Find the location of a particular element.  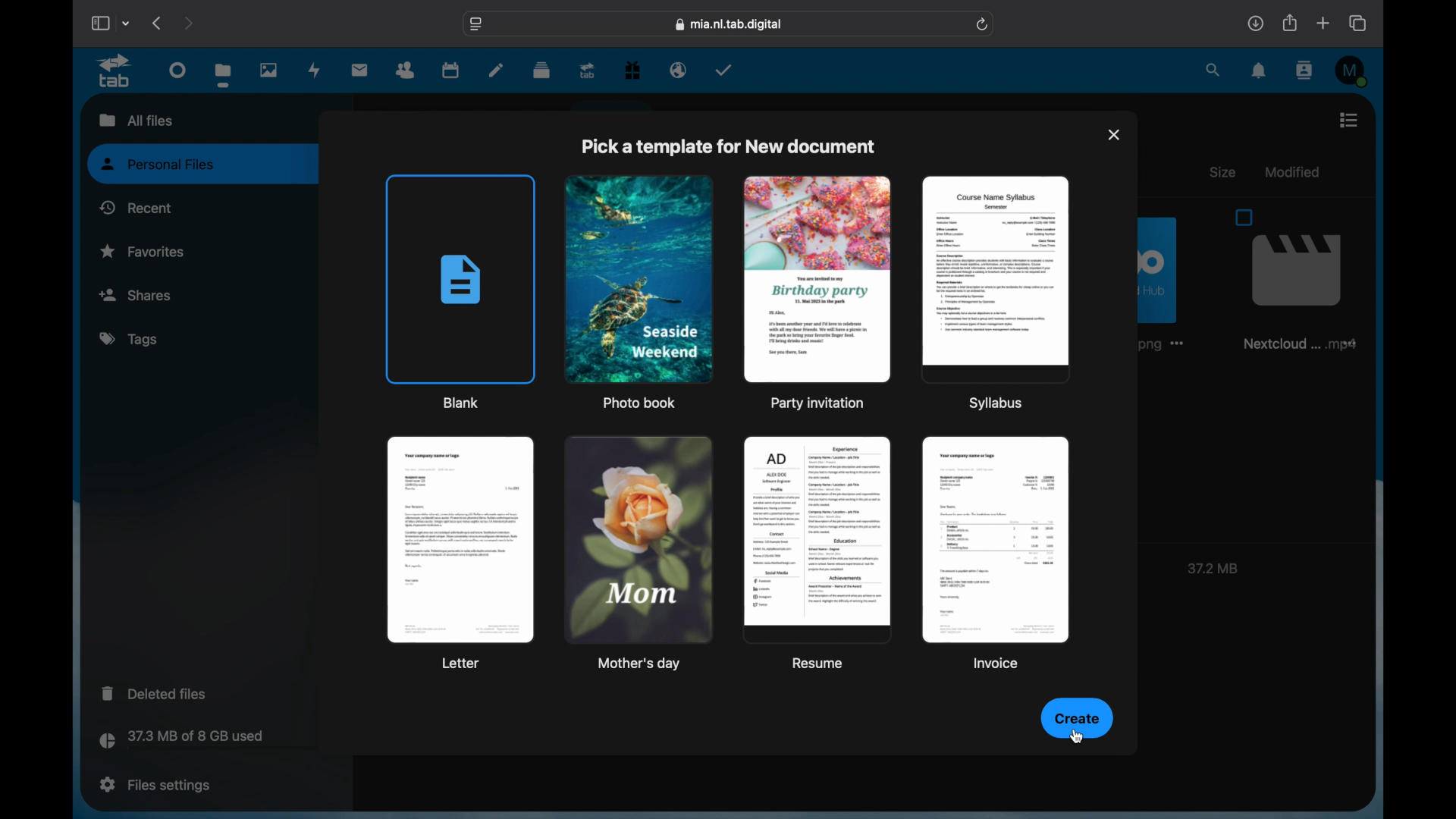

M is located at coordinates (1353, 71).